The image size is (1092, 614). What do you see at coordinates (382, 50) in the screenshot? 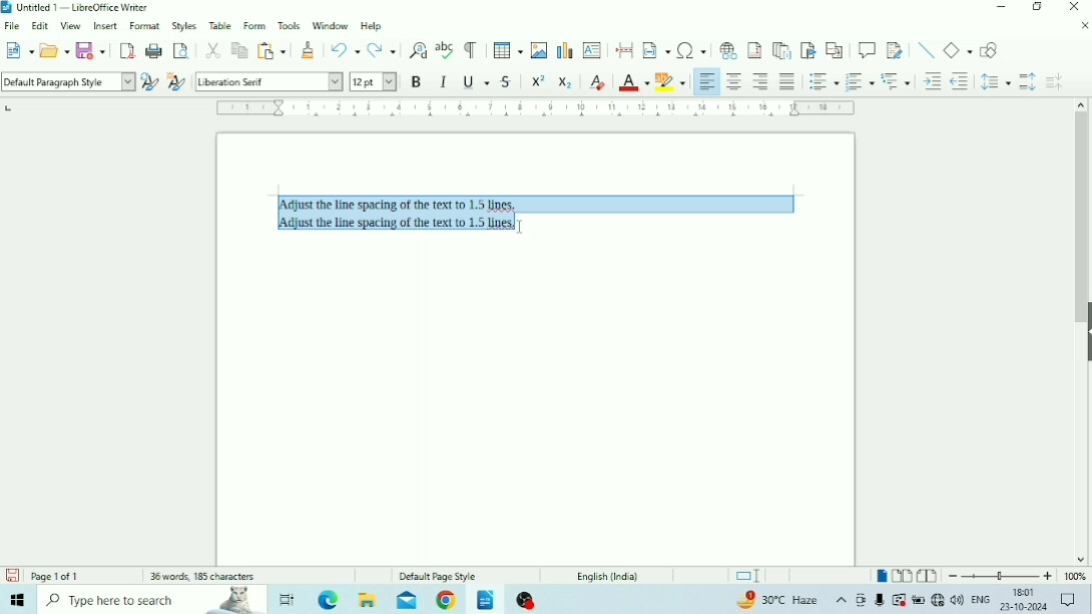
I see `Redo` at bounding box center [382, 50].